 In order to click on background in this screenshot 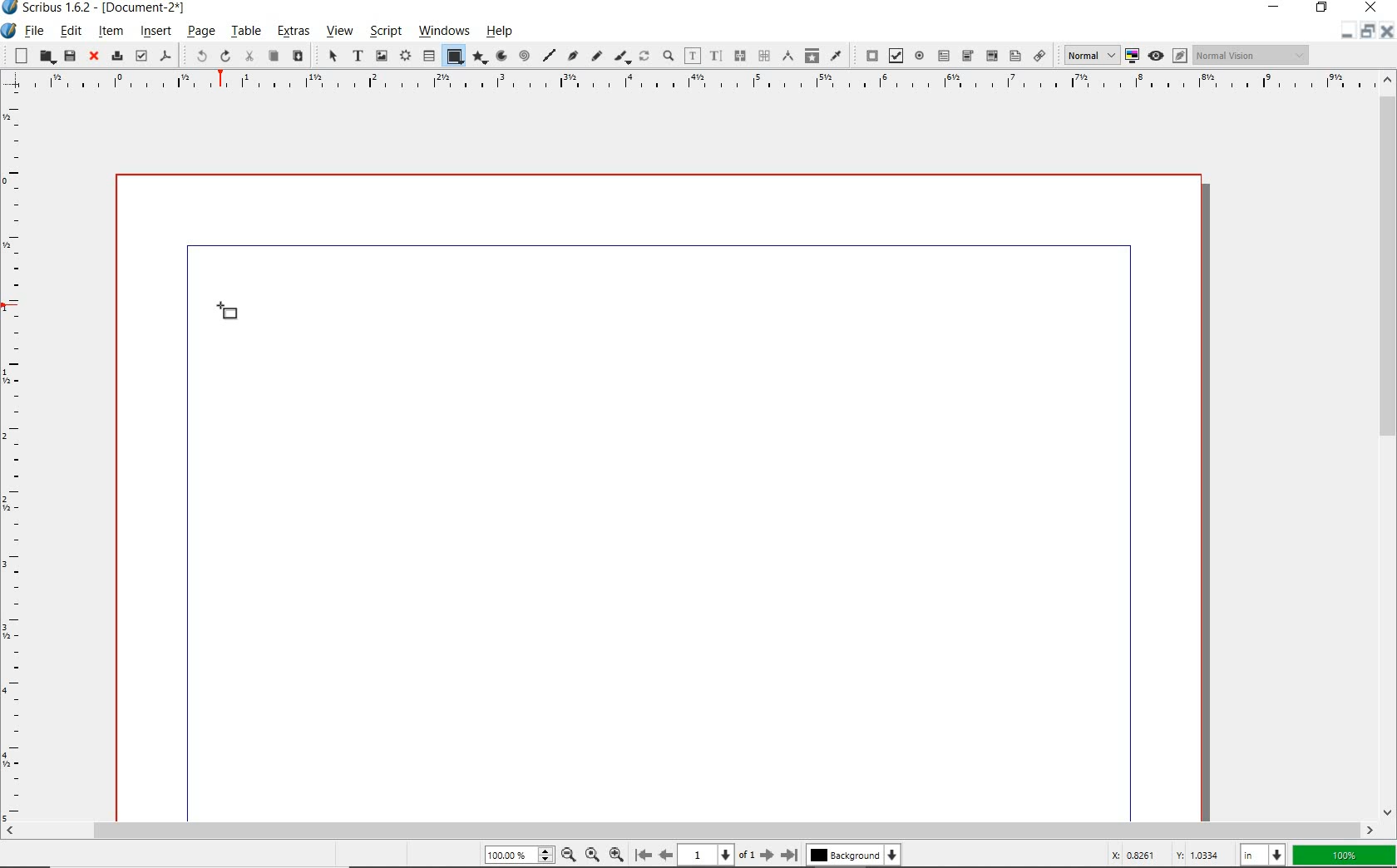, I will do `click(856, 855)`.